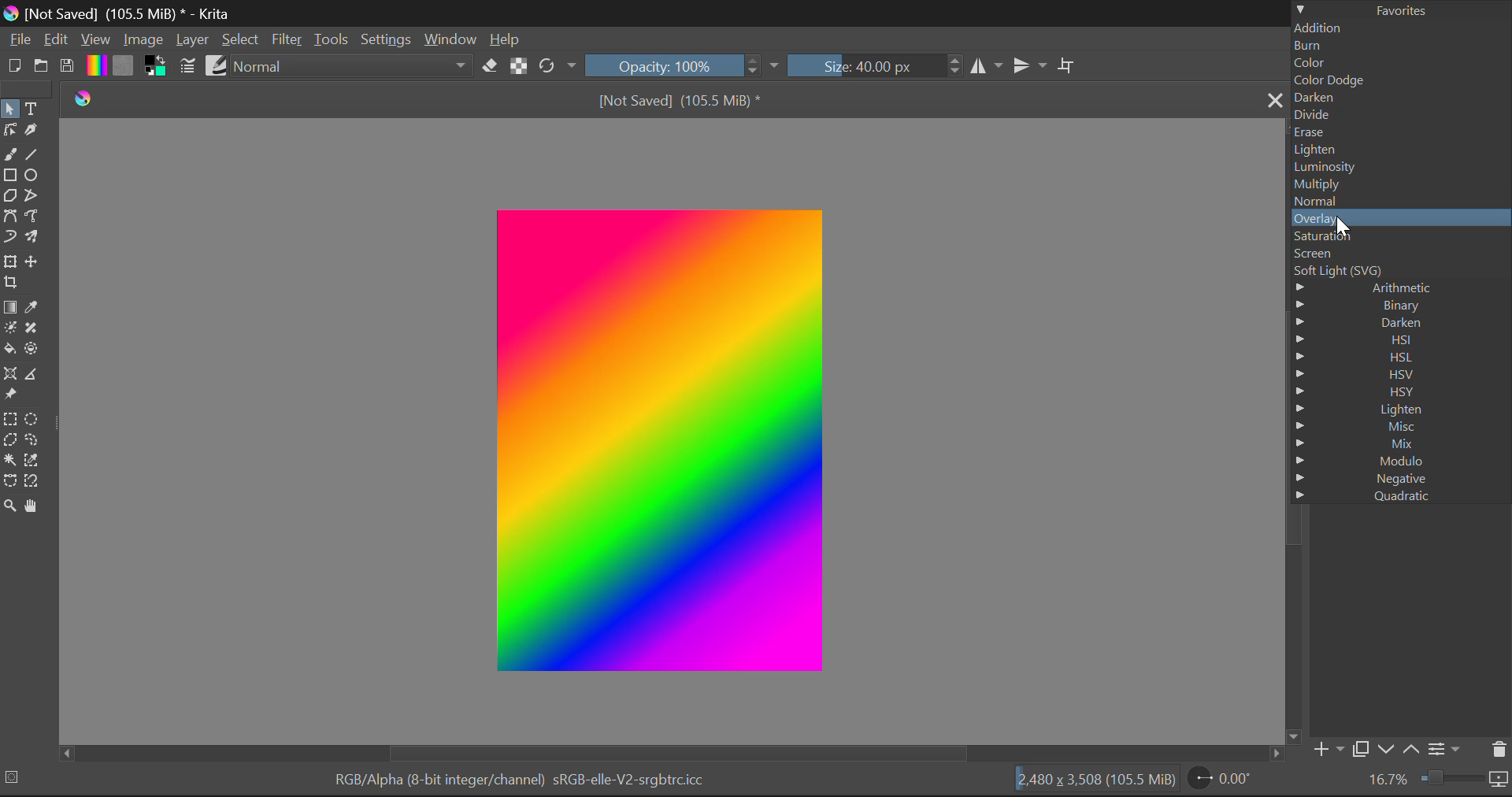  Describe the element at coordinates (1463, 778) in the screenshot. I see `Zoom slider` at that location.